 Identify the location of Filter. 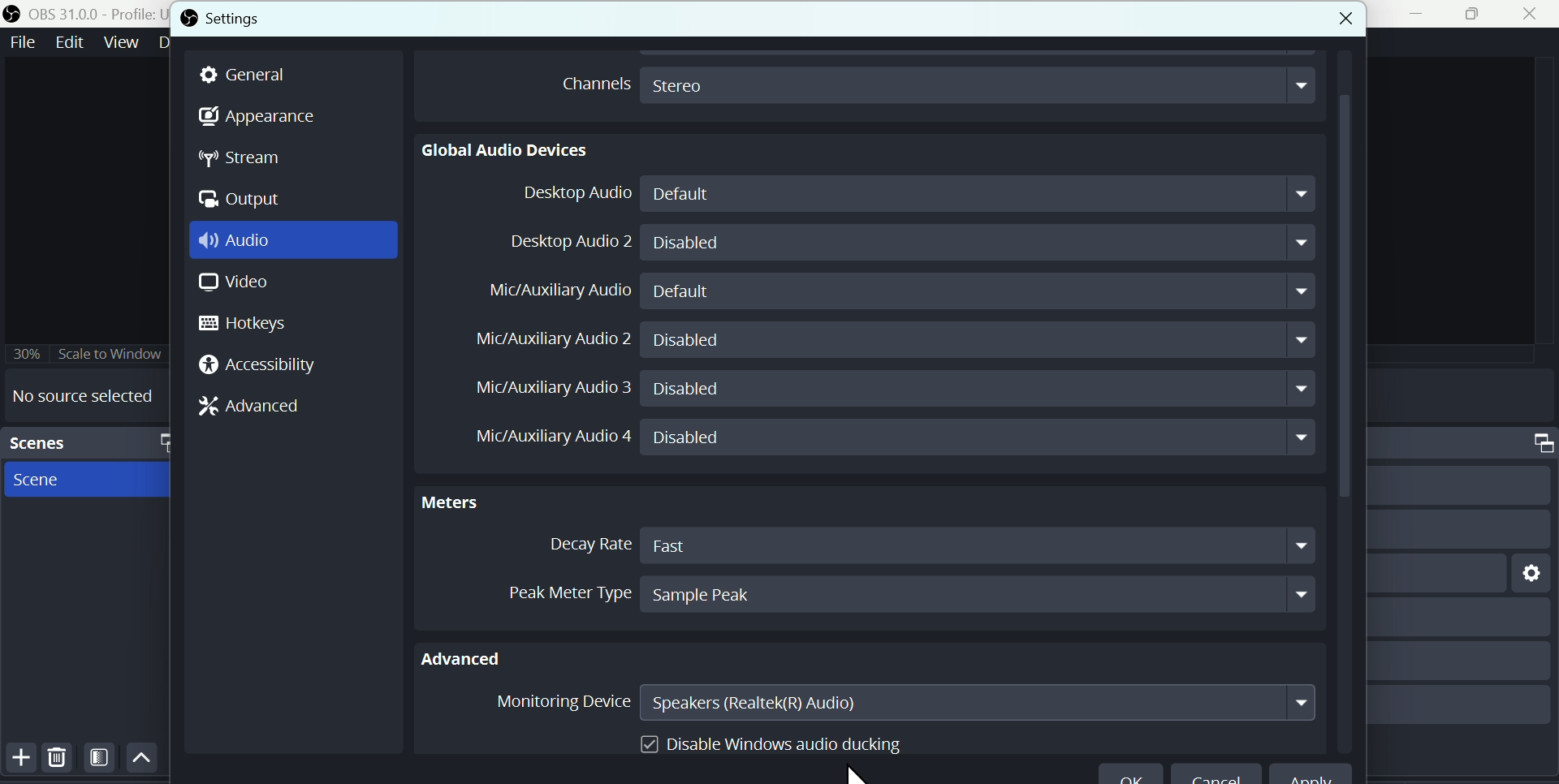
(101, 760).